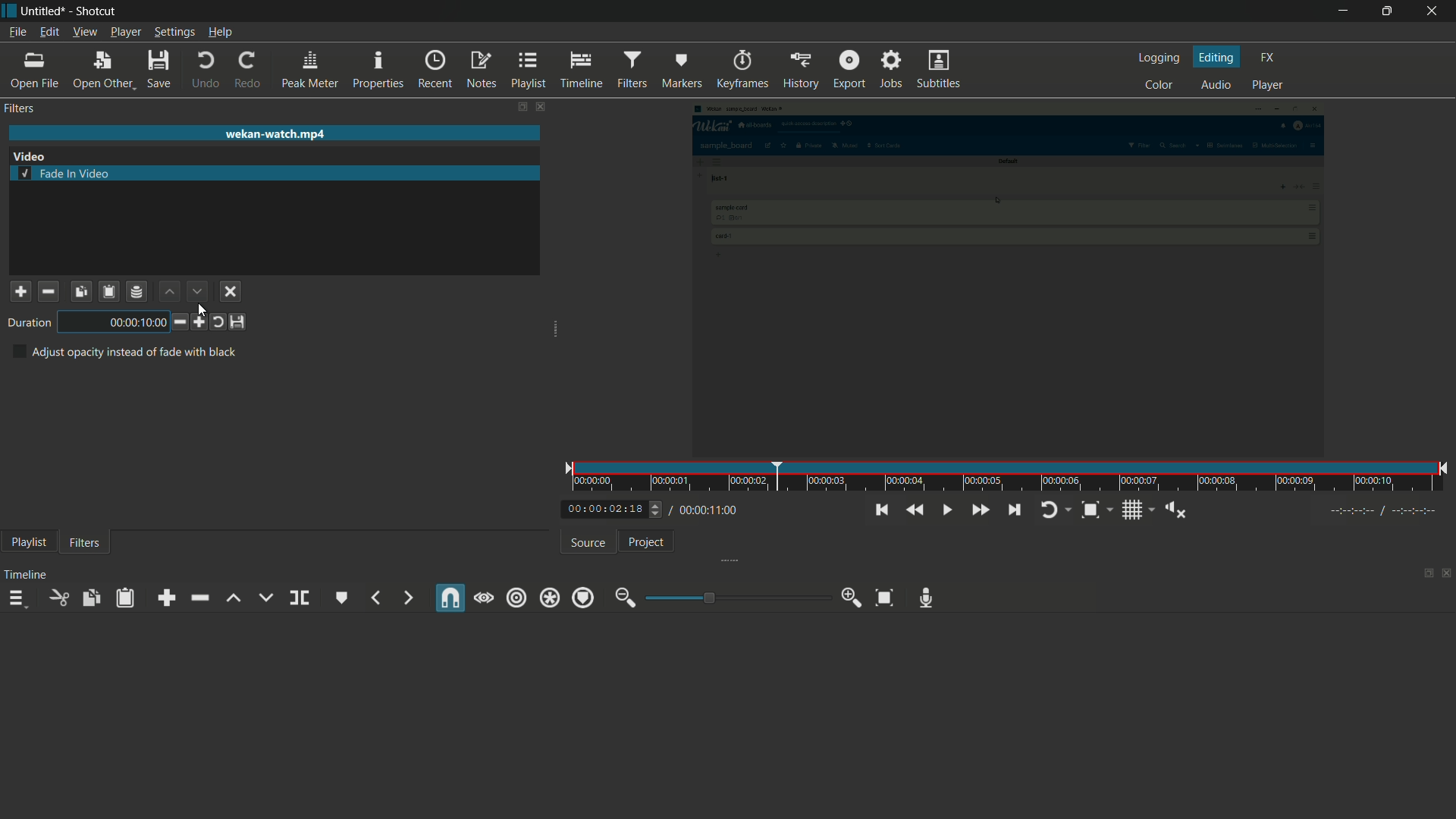  I want to click on skip to the previous point, so click(883, 510).